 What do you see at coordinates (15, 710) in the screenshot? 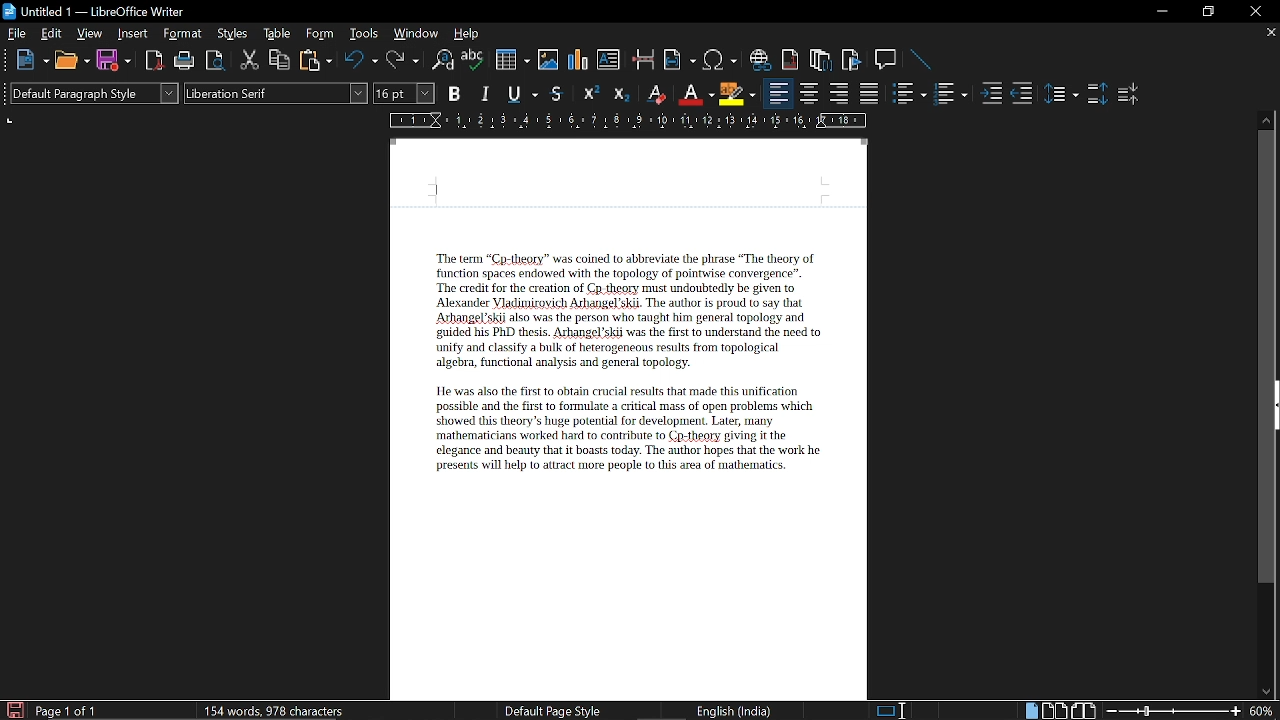
I see `Save` at bounding box center [15, 710].